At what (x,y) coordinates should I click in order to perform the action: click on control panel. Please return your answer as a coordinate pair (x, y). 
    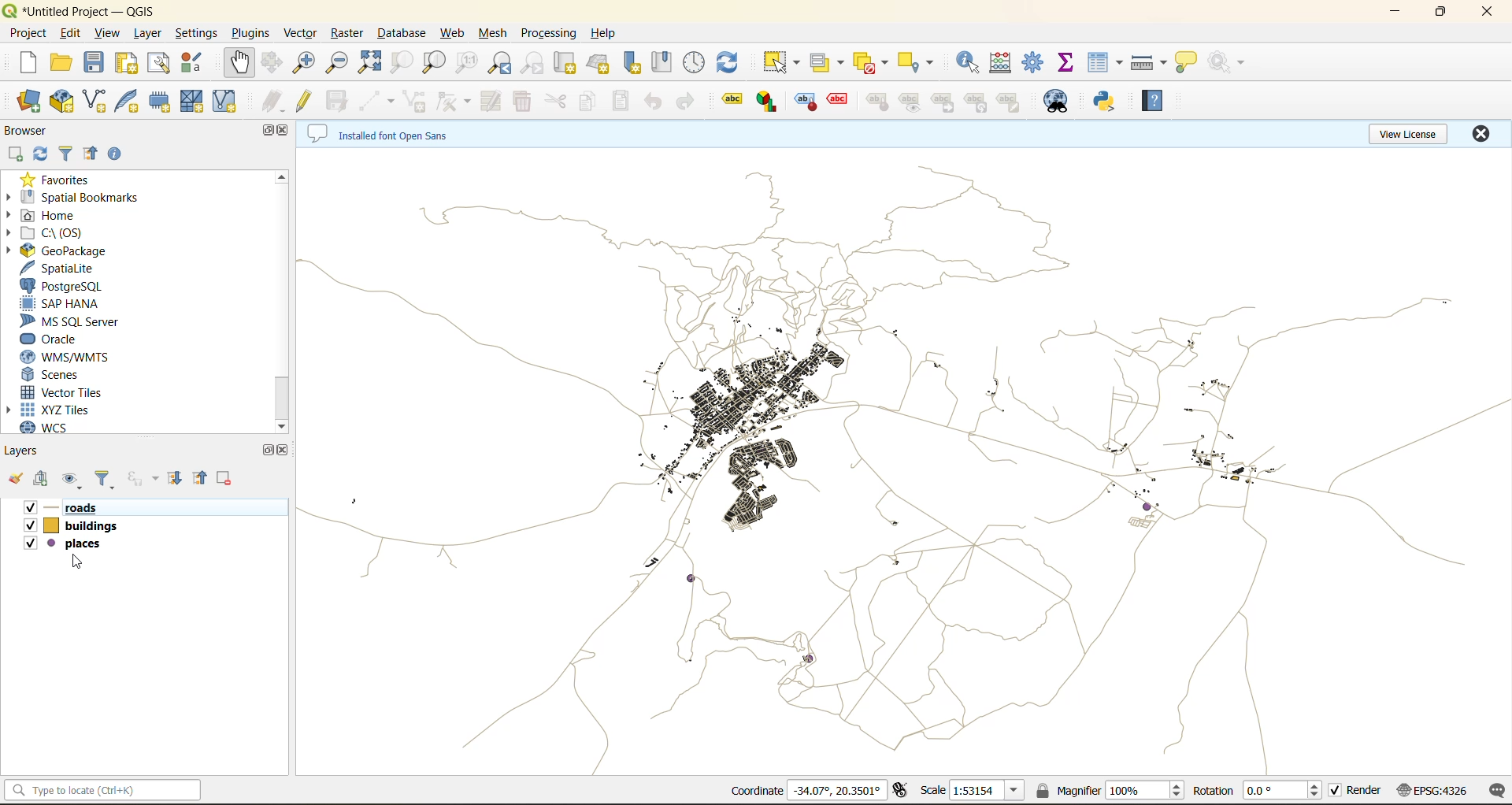
    Looking at the image, I should click on (698, 59).